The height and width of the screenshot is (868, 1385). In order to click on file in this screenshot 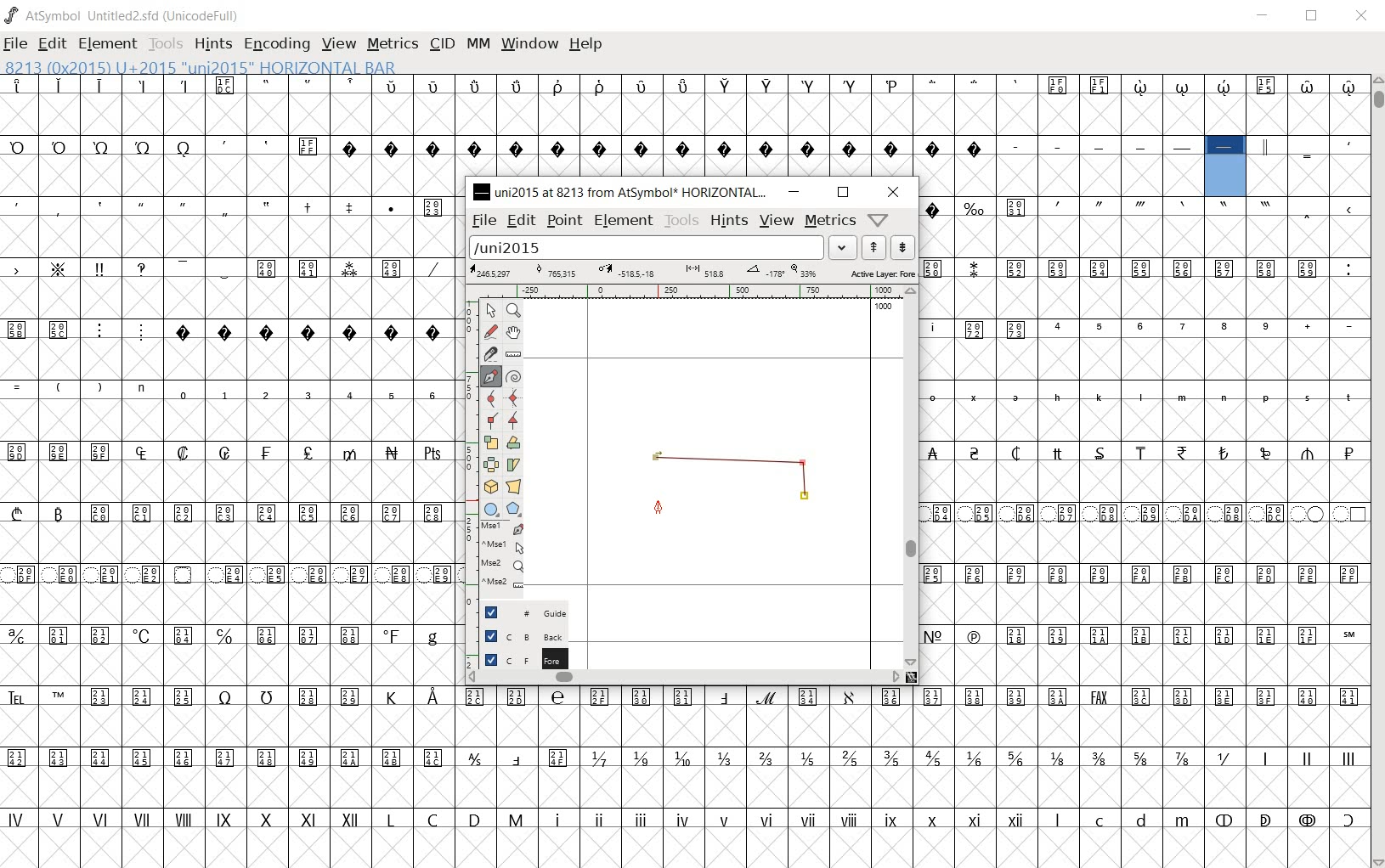, I will do `click(483, 222)`.